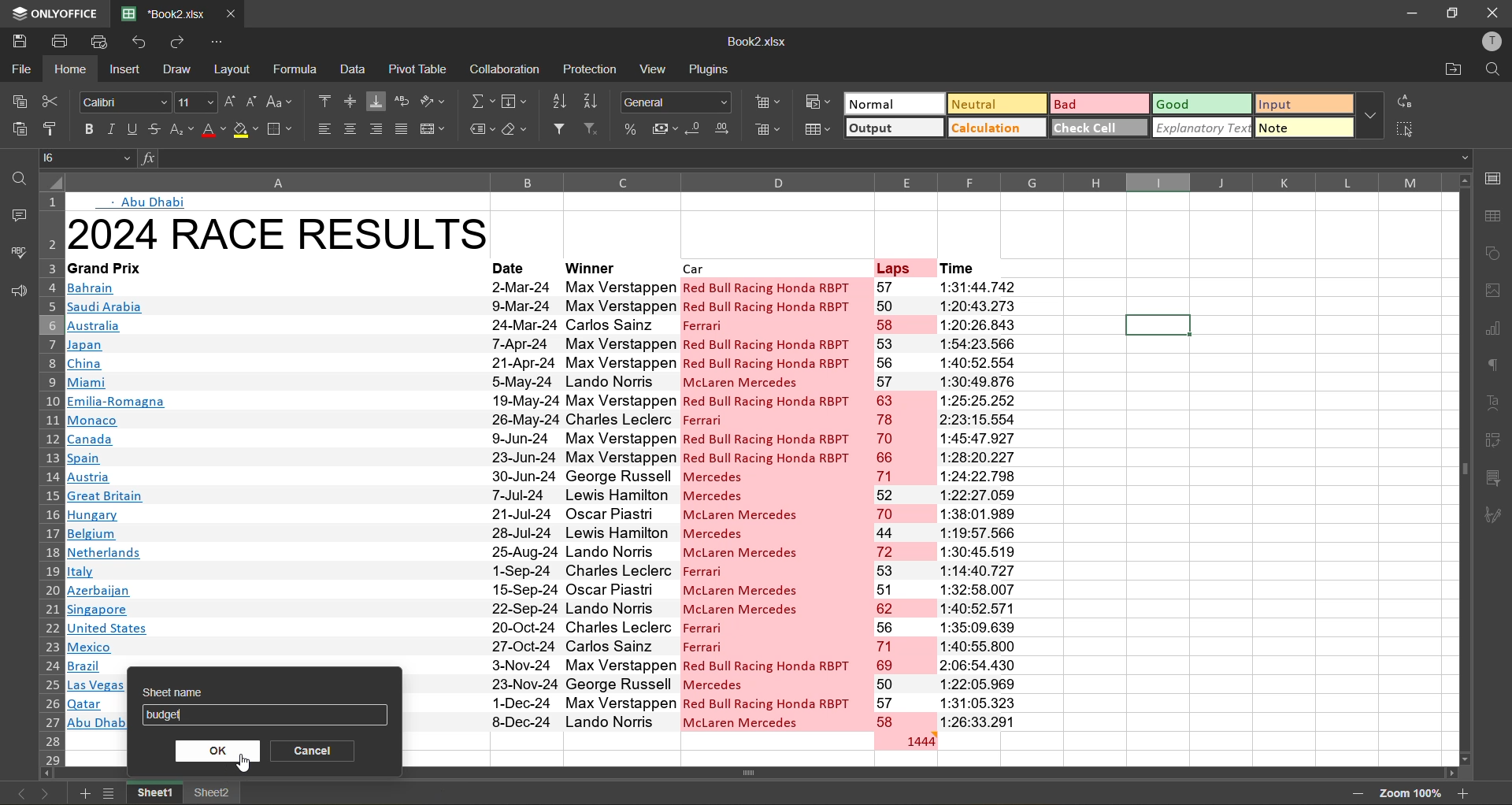 The height and width of the screenshot is (805, 1512). I want to click on ok, so click(218, 750).